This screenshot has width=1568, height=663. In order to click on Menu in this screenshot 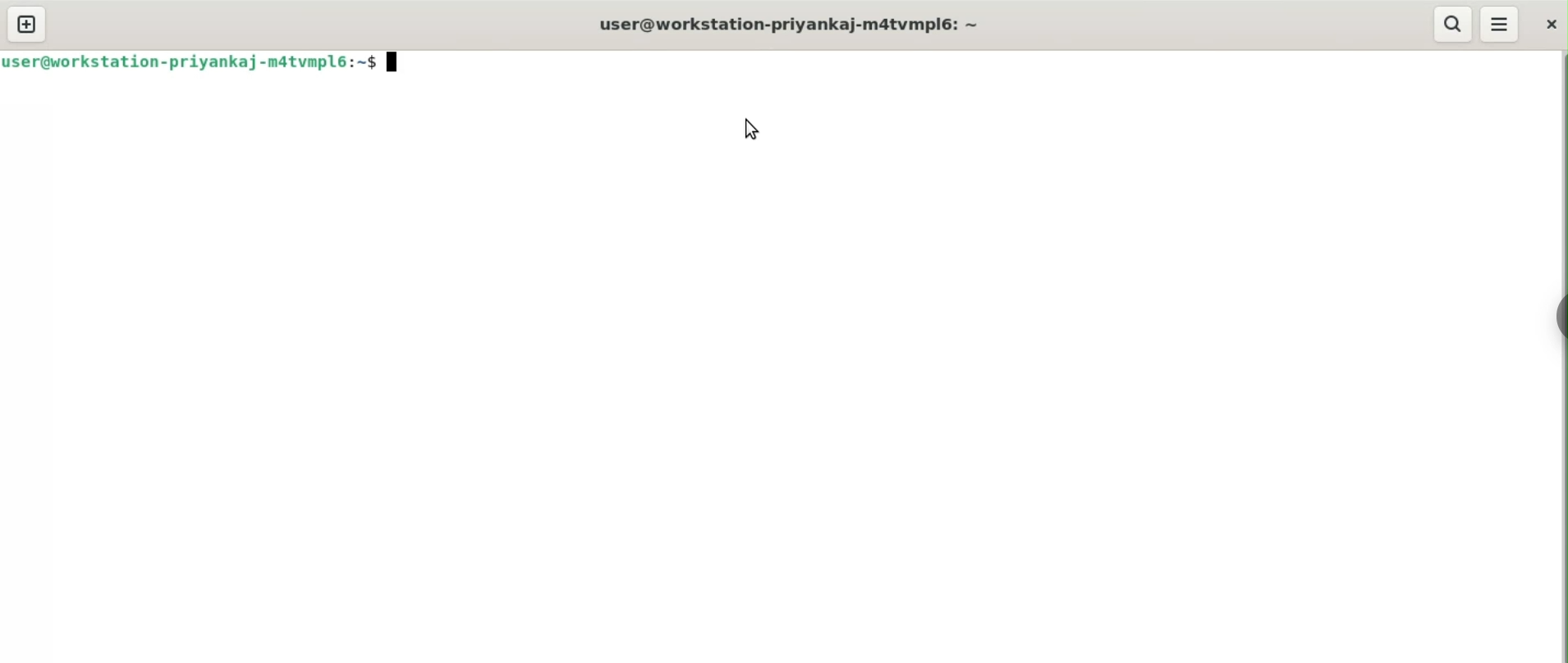, I will do `click(1501, 24)`.